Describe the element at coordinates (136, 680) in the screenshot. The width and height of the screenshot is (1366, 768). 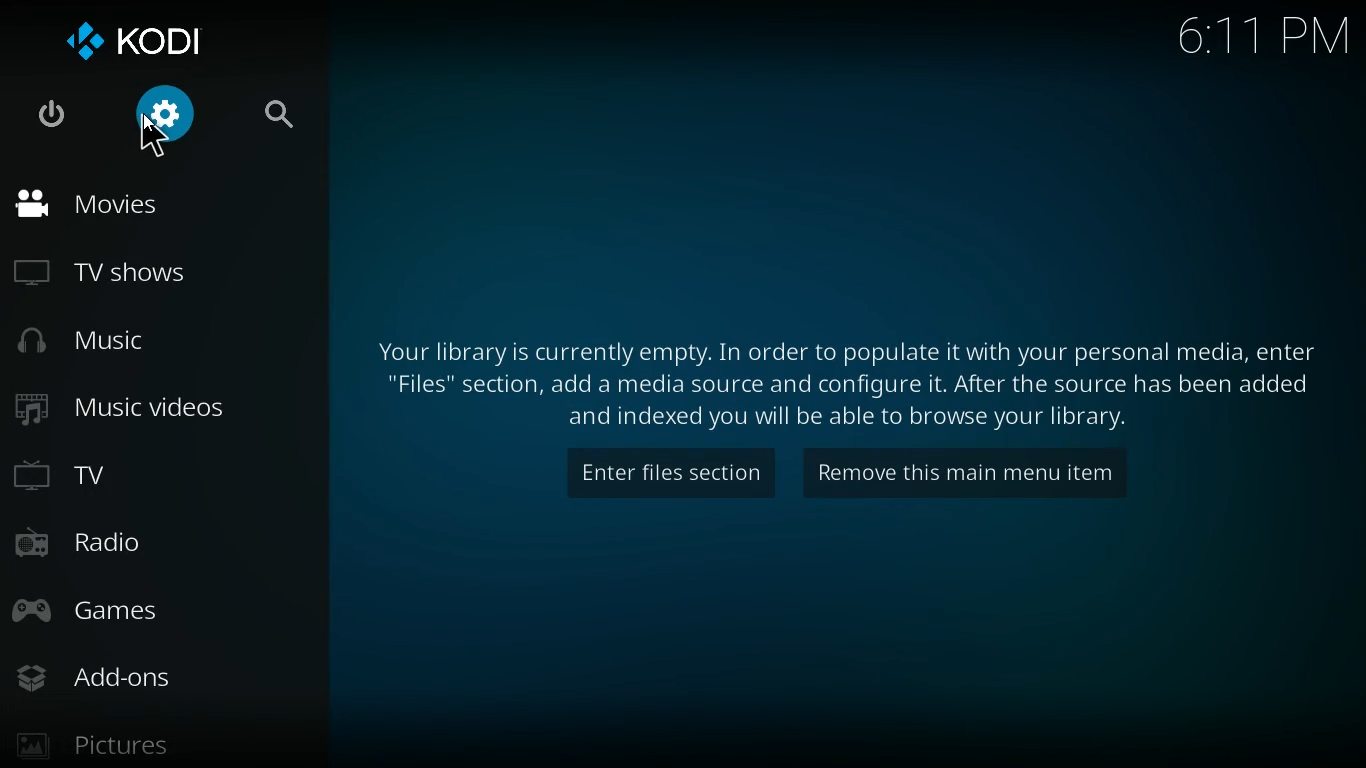
I see `add-ons` at that location.